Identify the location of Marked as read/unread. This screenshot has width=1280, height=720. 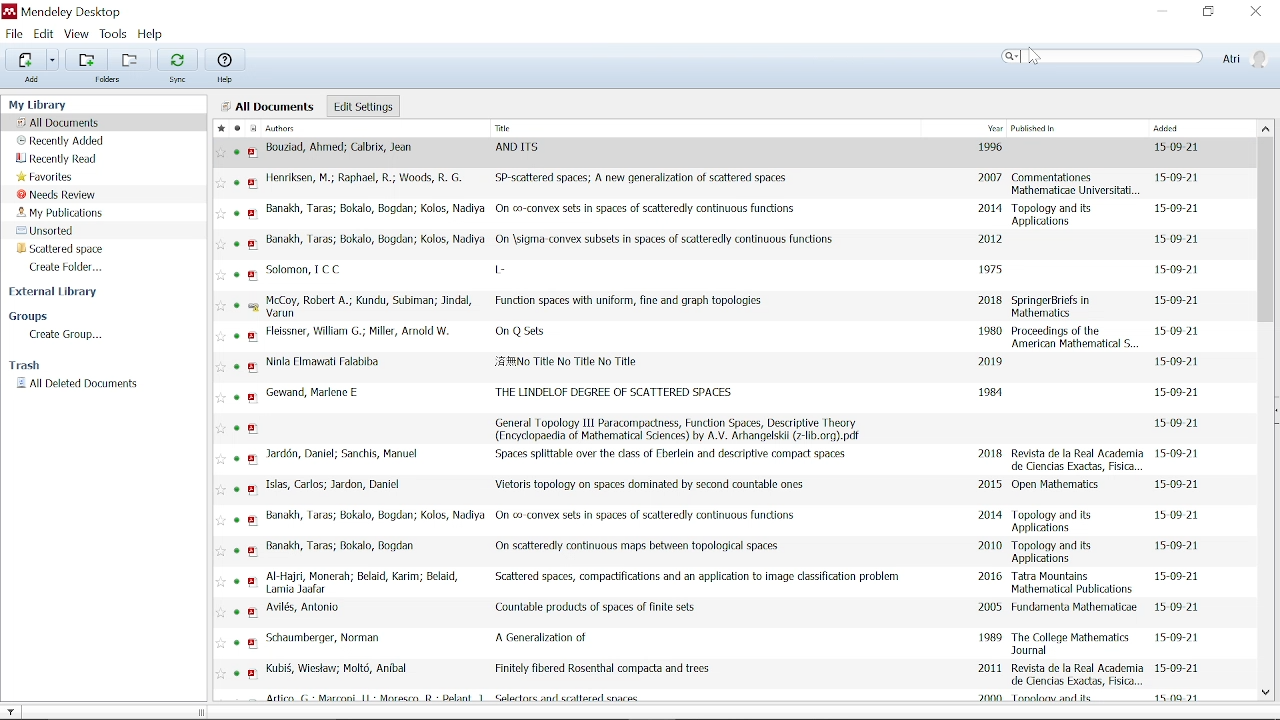
(235, 128).